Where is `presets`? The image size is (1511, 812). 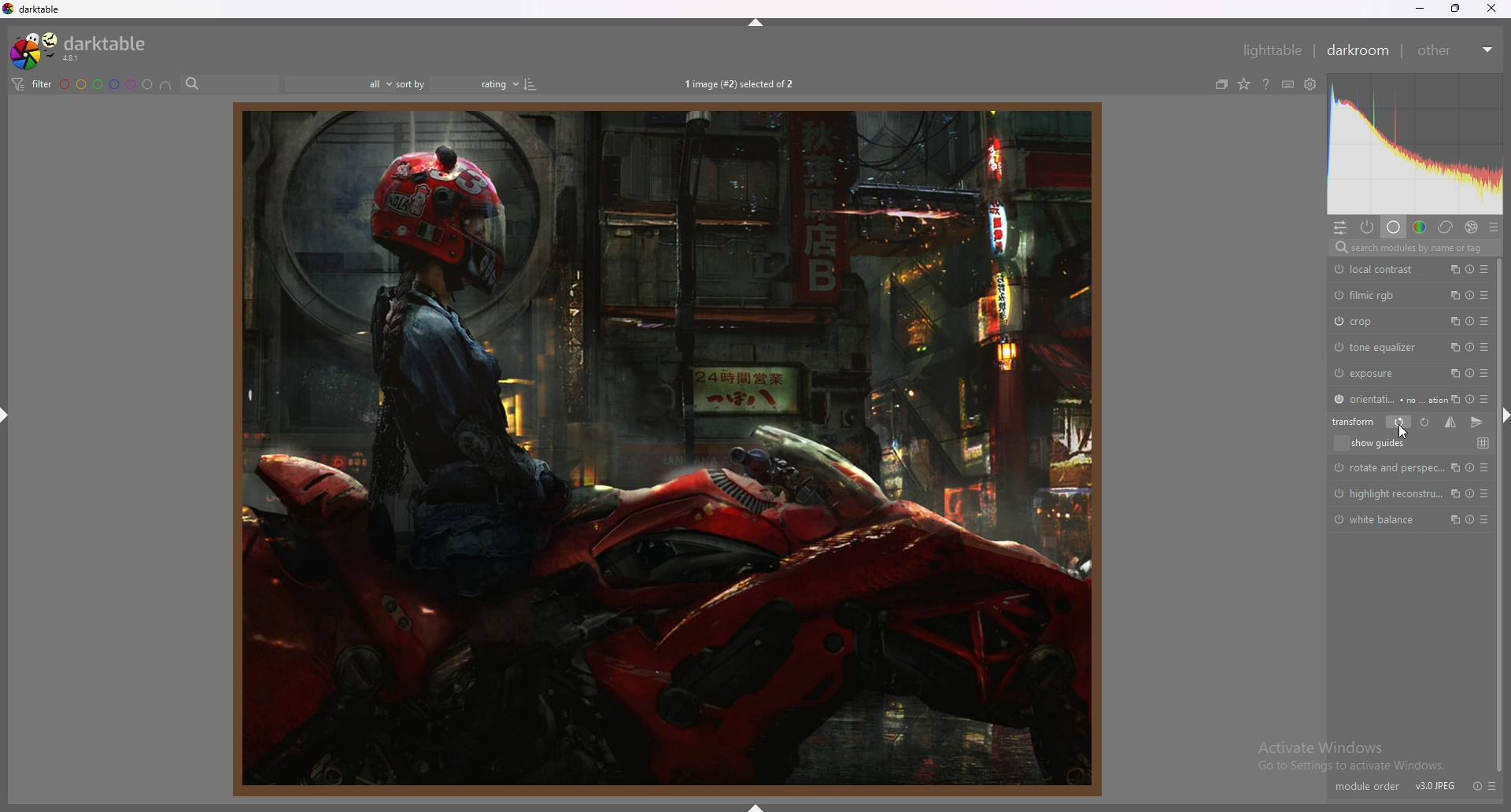
presets is located at coordinates (1487, 493).